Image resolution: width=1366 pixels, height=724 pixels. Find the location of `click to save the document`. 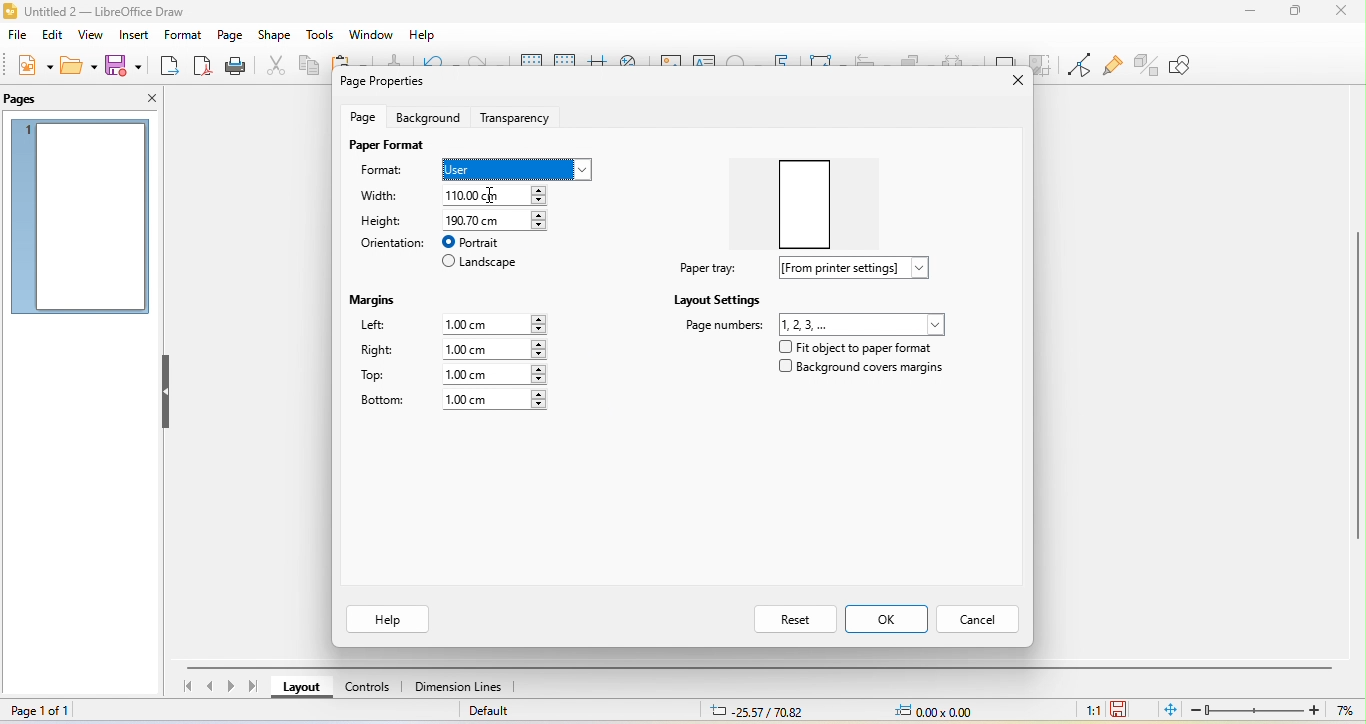

click to save the document is located at coordinates (1120, 708).